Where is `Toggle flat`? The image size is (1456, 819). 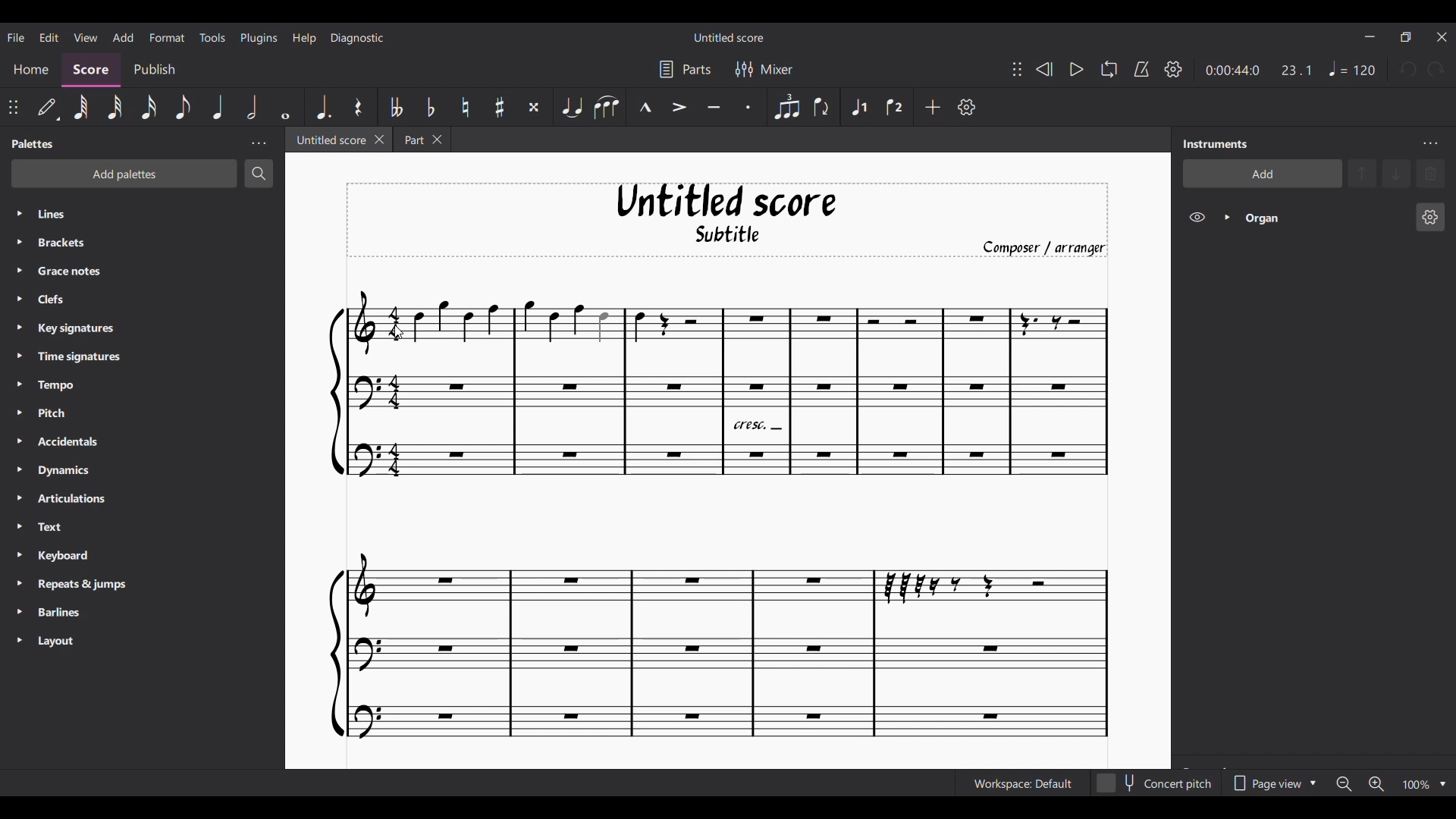
Toggle flat is located at coordinates (431, 106).